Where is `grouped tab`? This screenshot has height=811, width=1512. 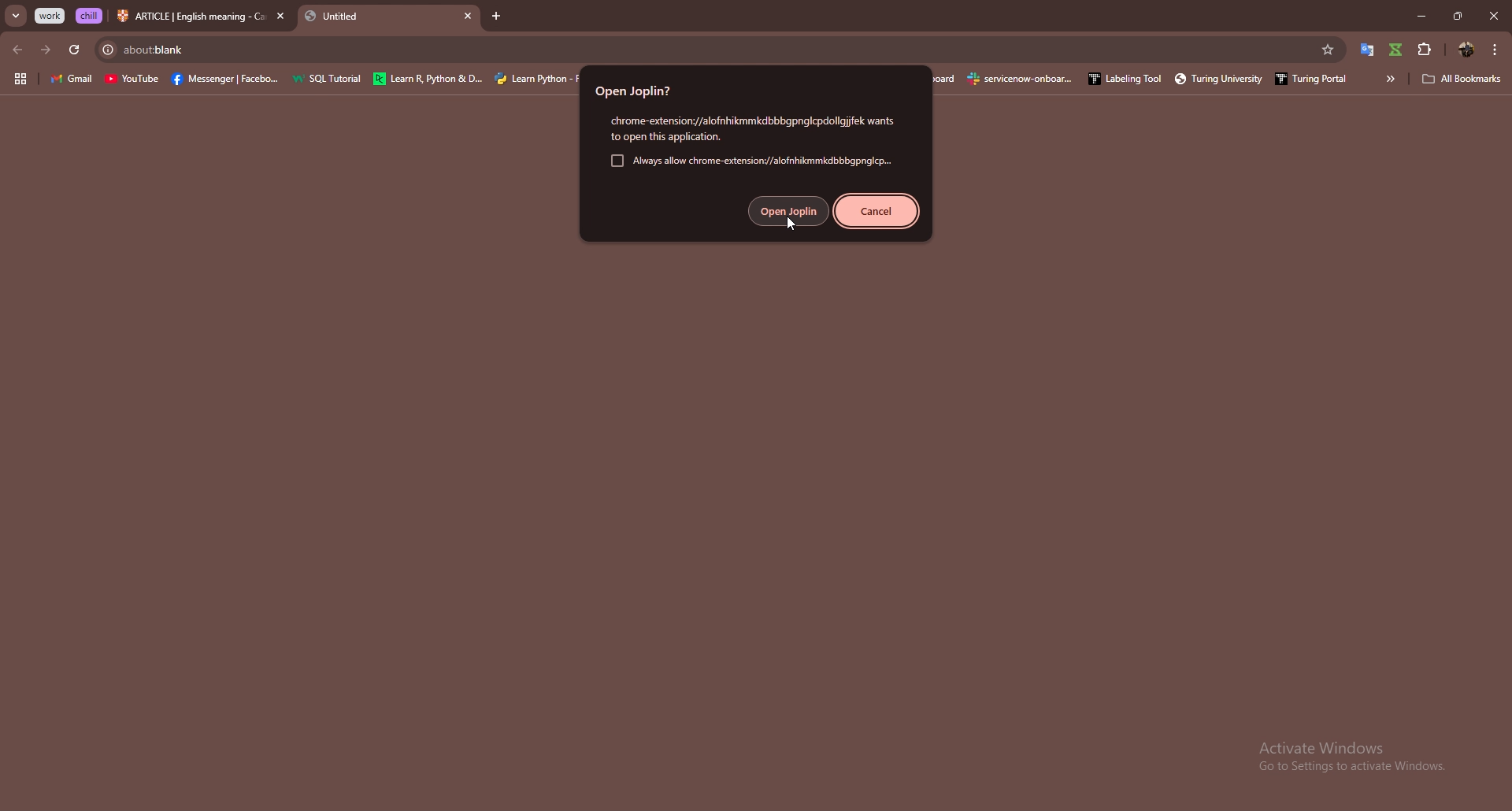
grouped tab is located at coordinates (90, 16).